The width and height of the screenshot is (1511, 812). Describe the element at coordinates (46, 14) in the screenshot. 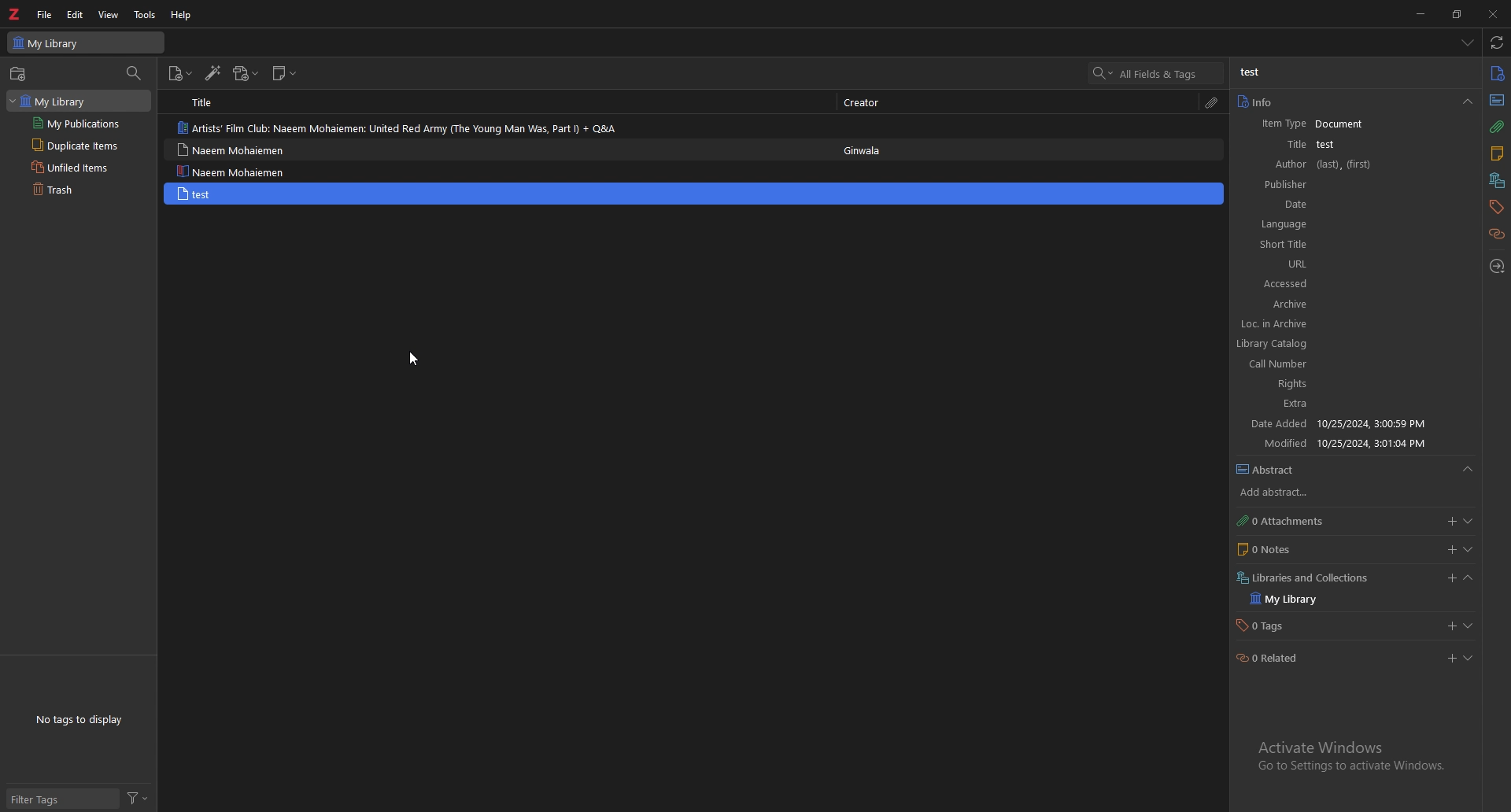

I see `file` at that location.